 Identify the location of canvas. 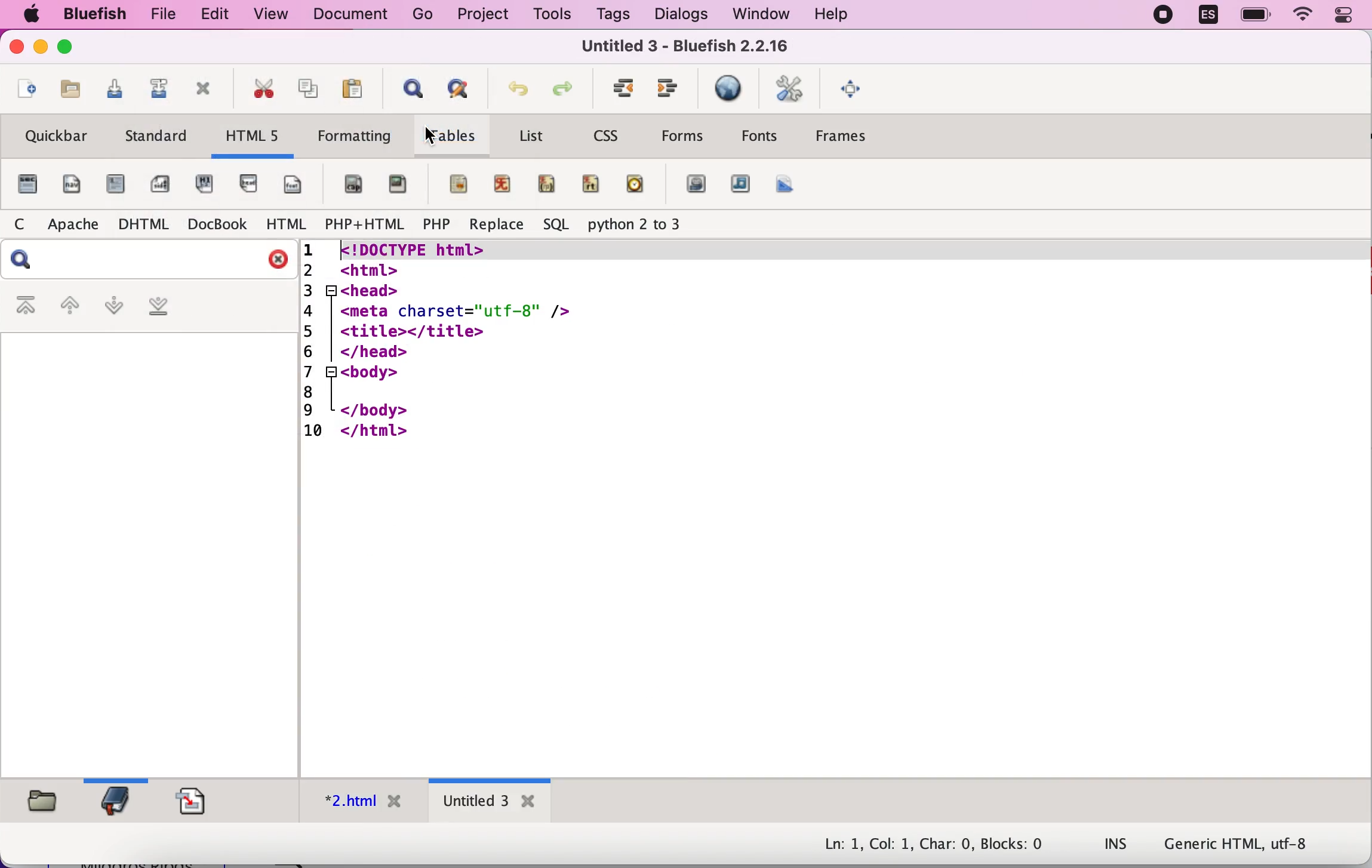
(786, 184).